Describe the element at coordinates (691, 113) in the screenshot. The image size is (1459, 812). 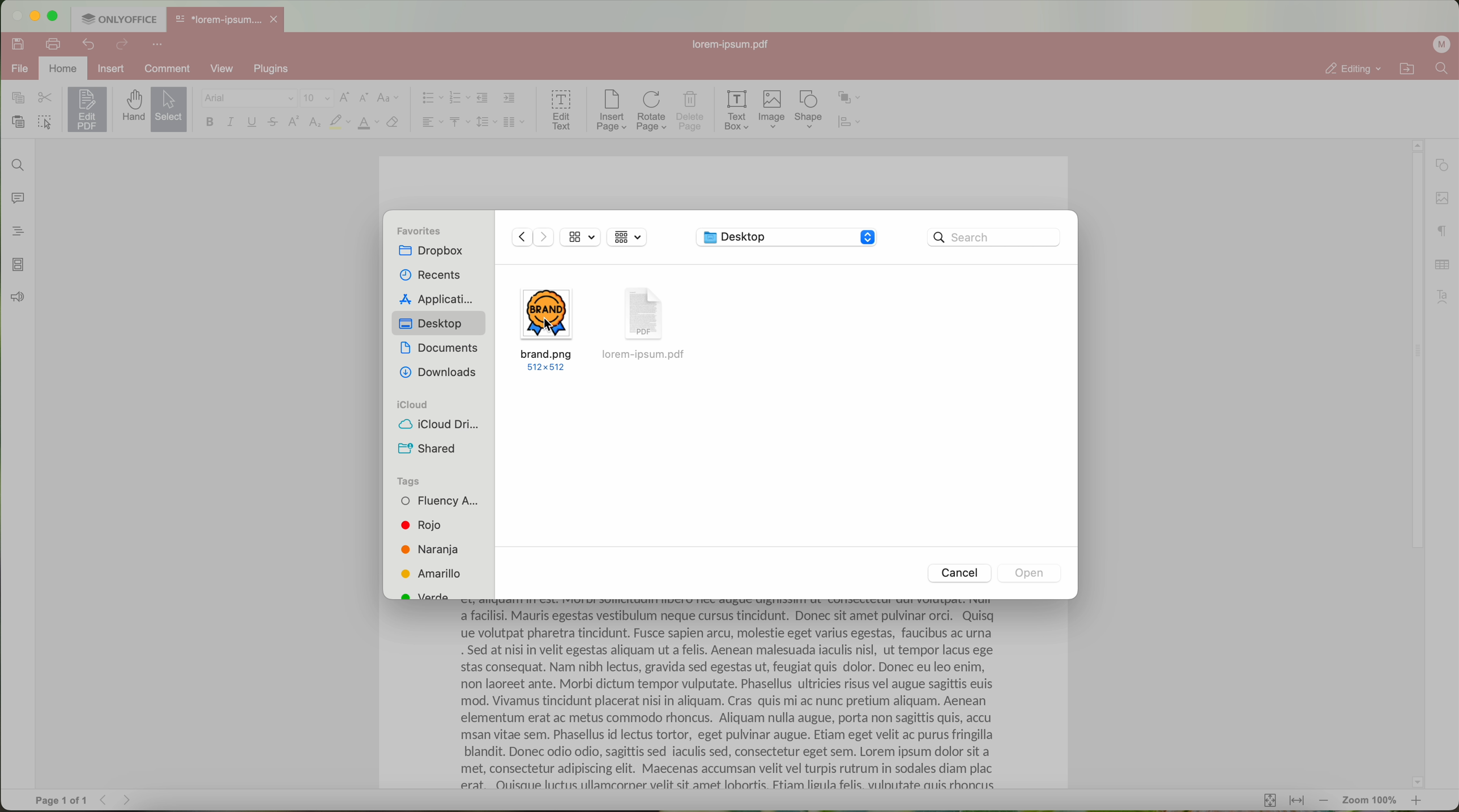
I see `delete page` at that location.